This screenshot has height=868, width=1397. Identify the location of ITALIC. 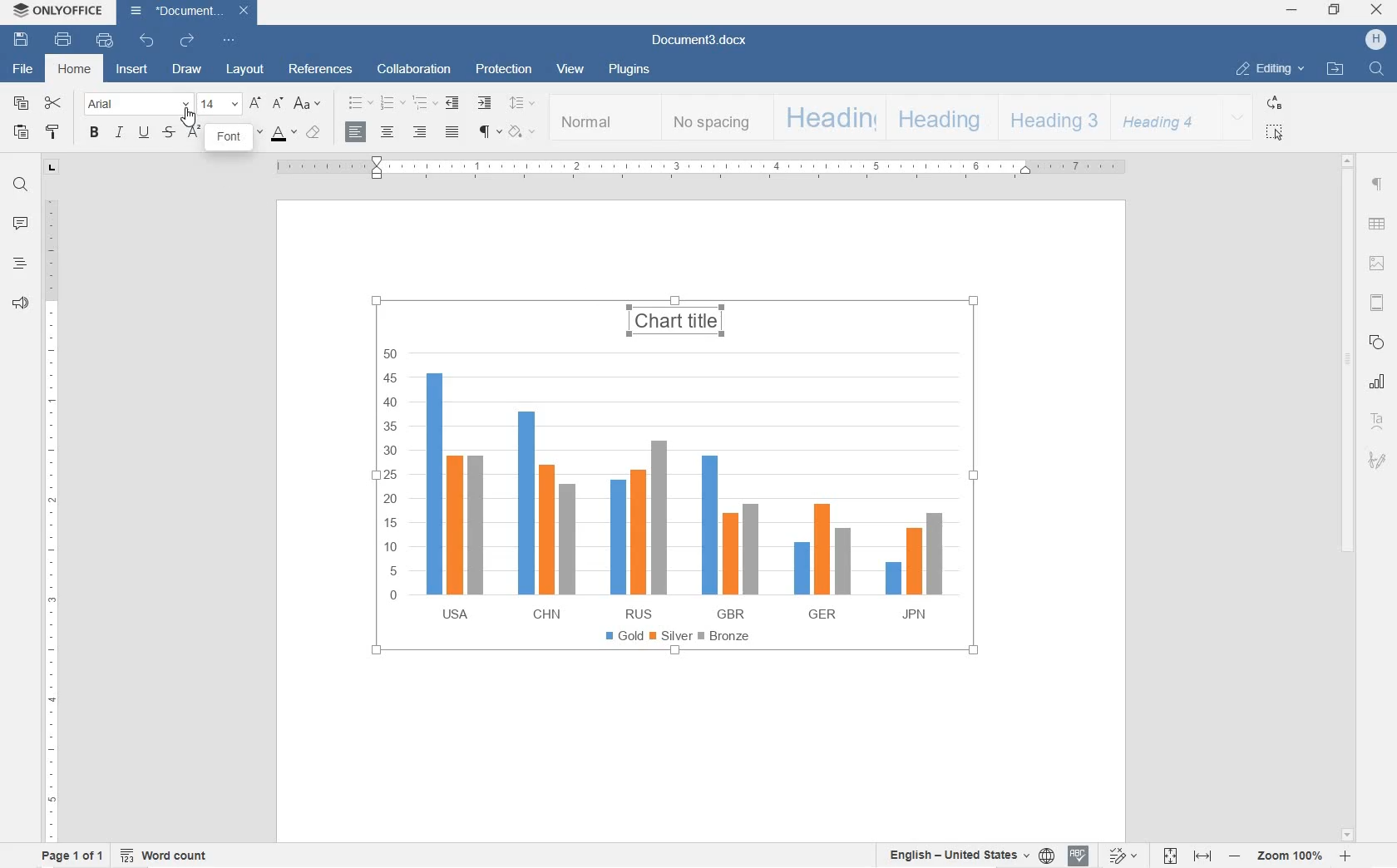
(120, 135).